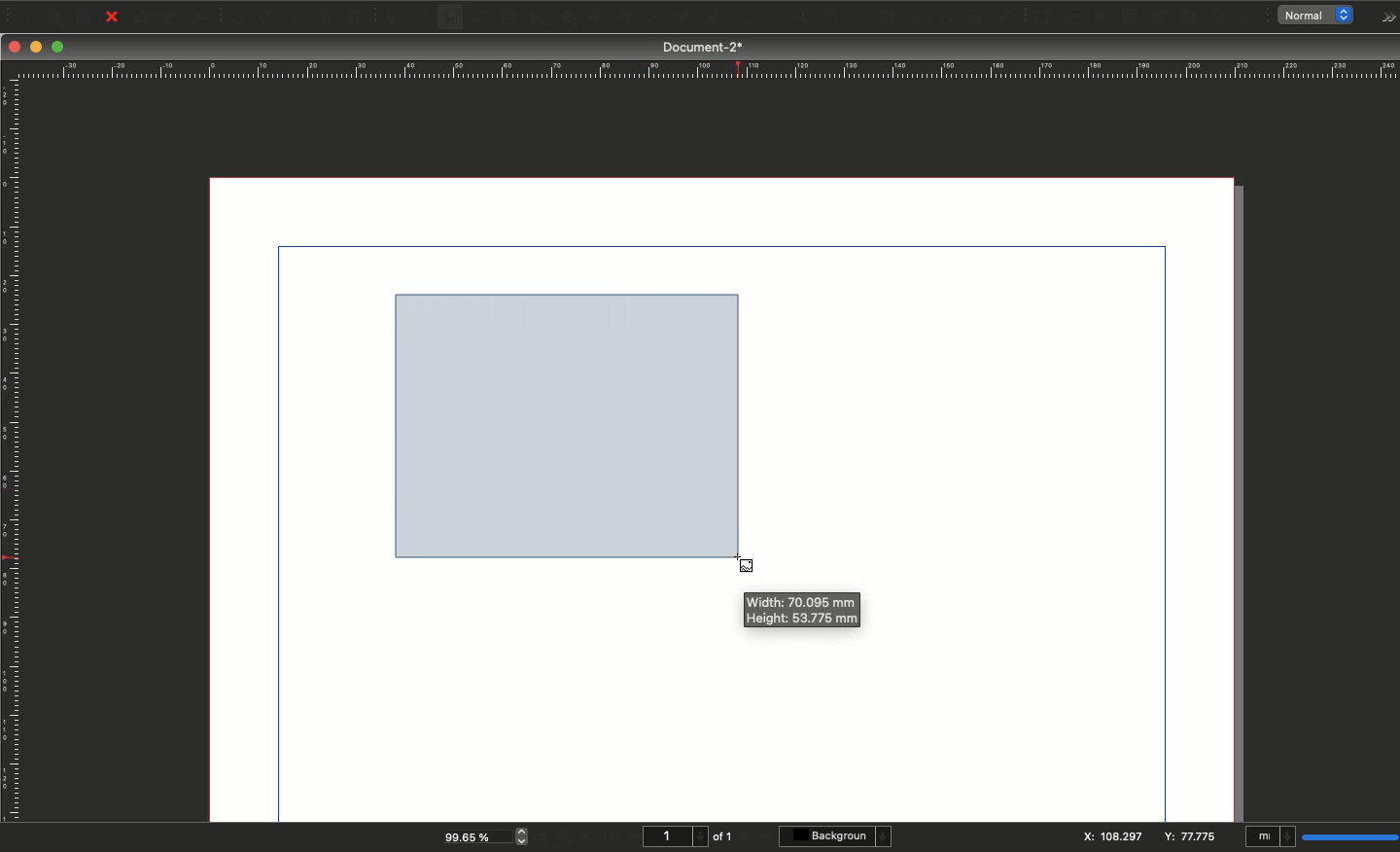  Describe the element at coordinates (559, 417) in the screenshot. I see `Moving up` at that location.